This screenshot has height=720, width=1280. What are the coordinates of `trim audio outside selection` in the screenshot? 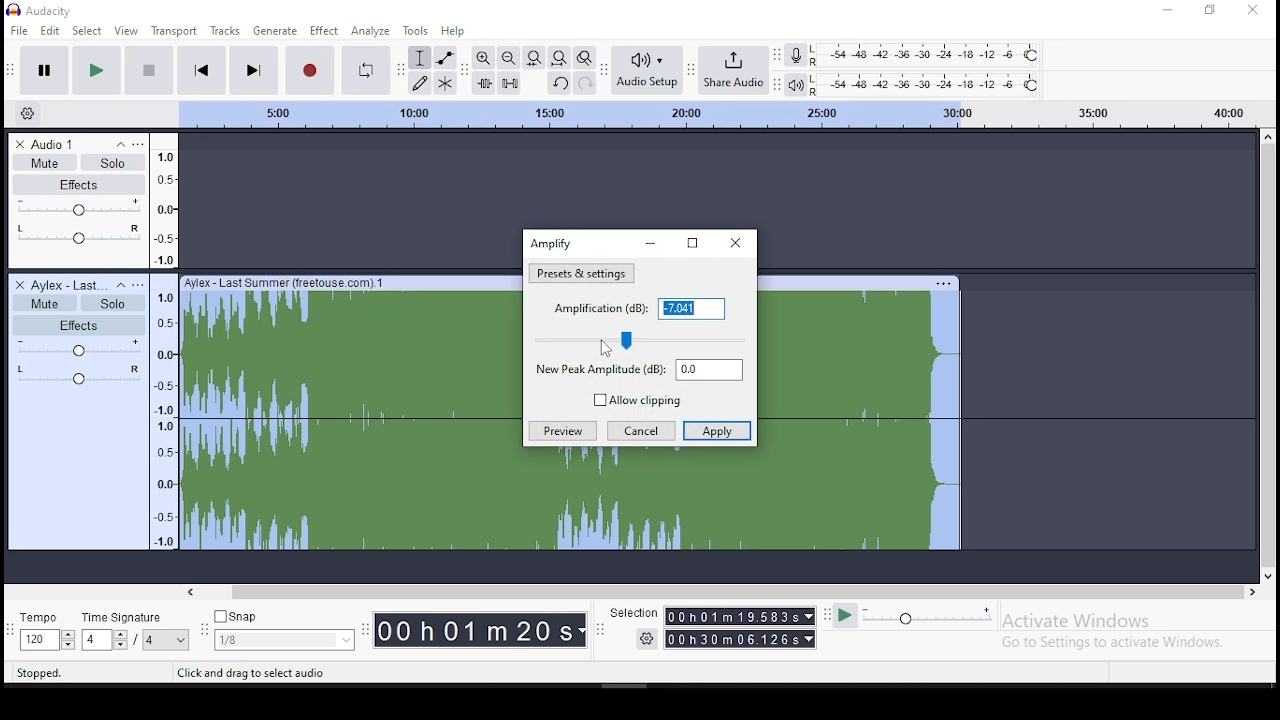 It's located at (484, 83).